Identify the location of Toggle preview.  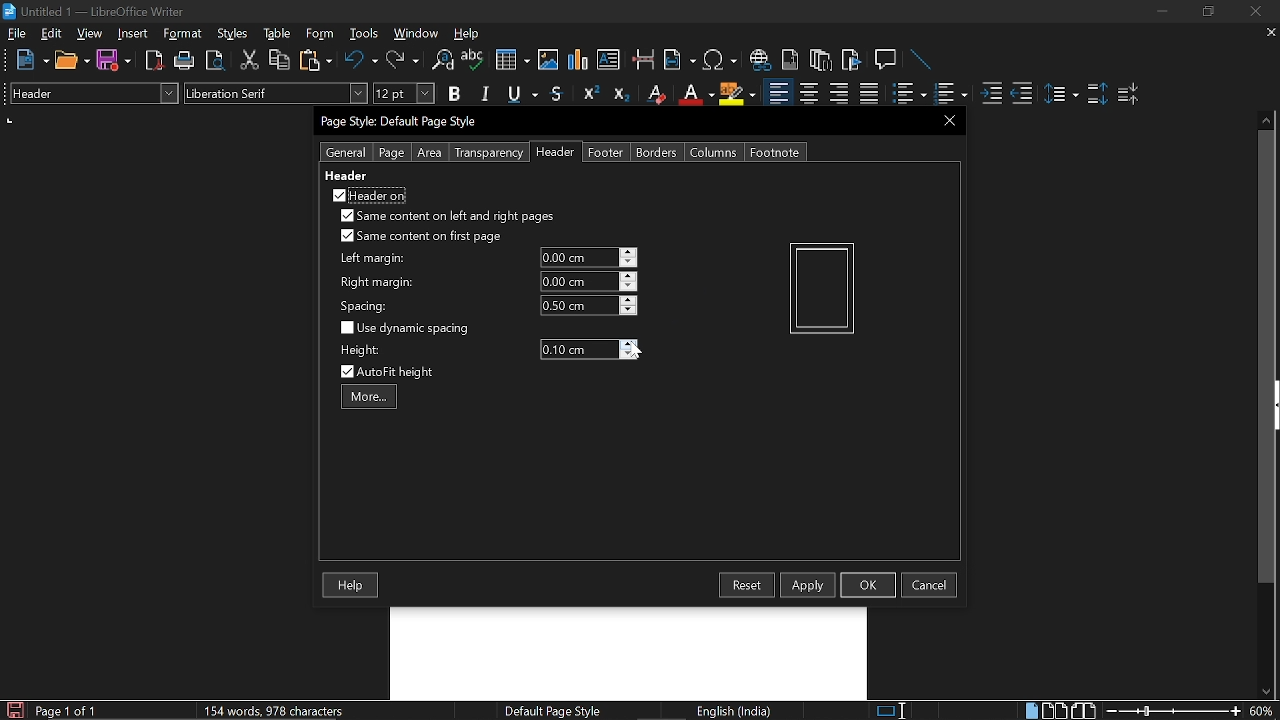
(214, 61).